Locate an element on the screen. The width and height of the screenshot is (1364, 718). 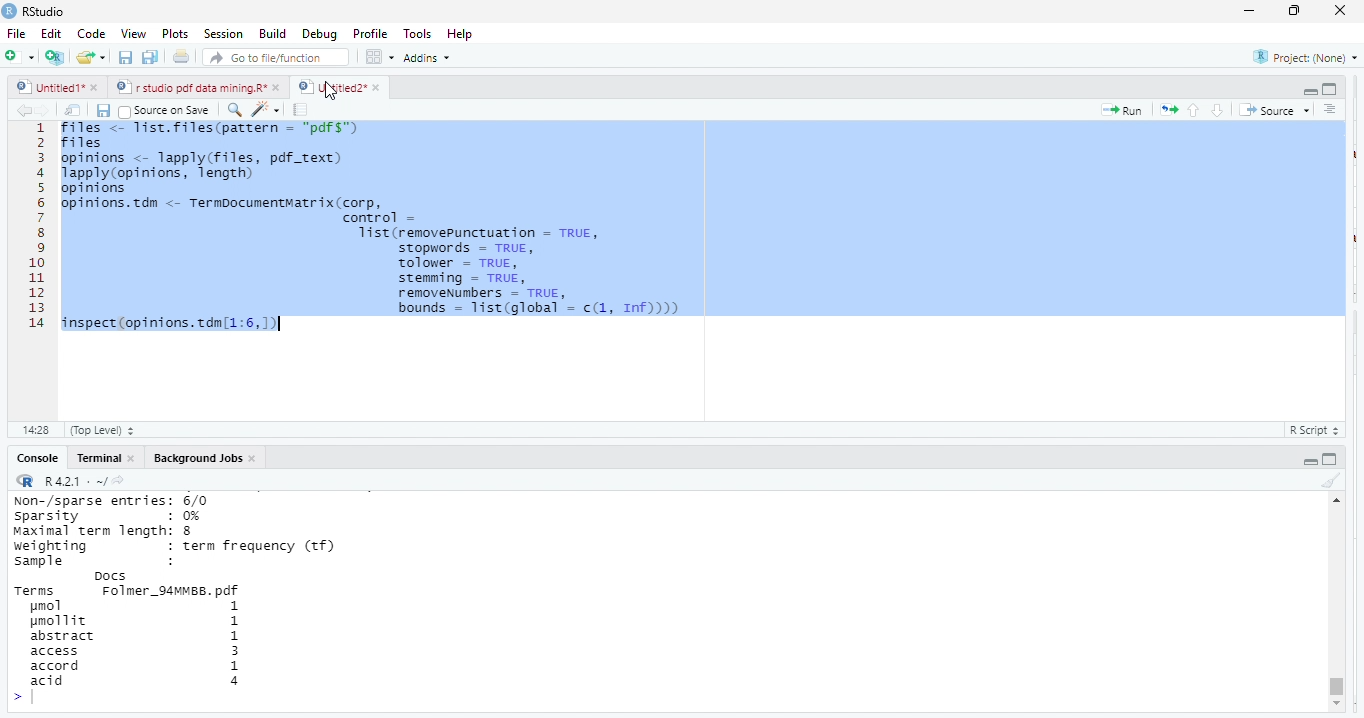
vertical scroll bar is located at coordinates (1335, 602).